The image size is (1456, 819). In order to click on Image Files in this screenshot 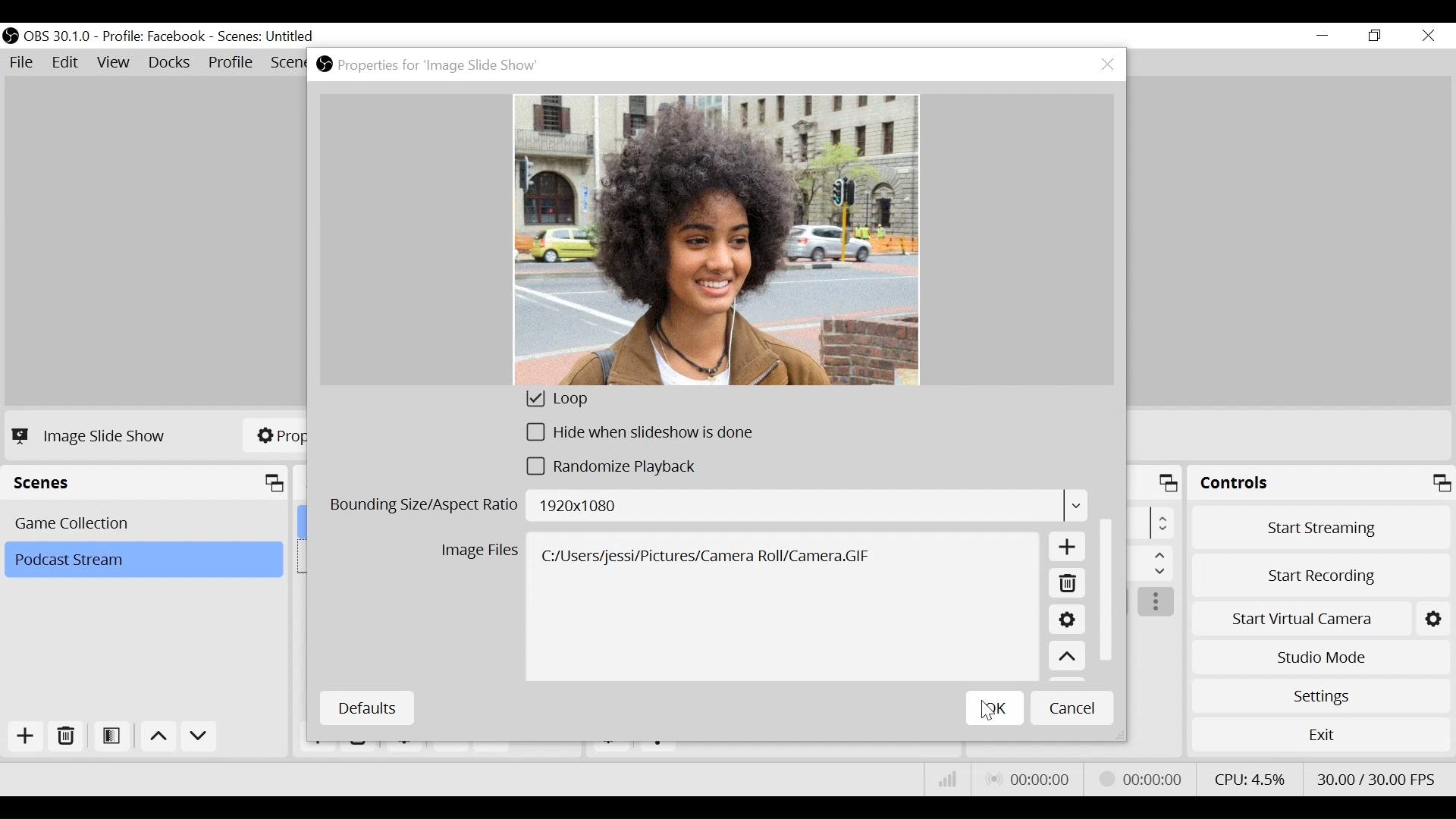, I will do `click(479, 553)`.